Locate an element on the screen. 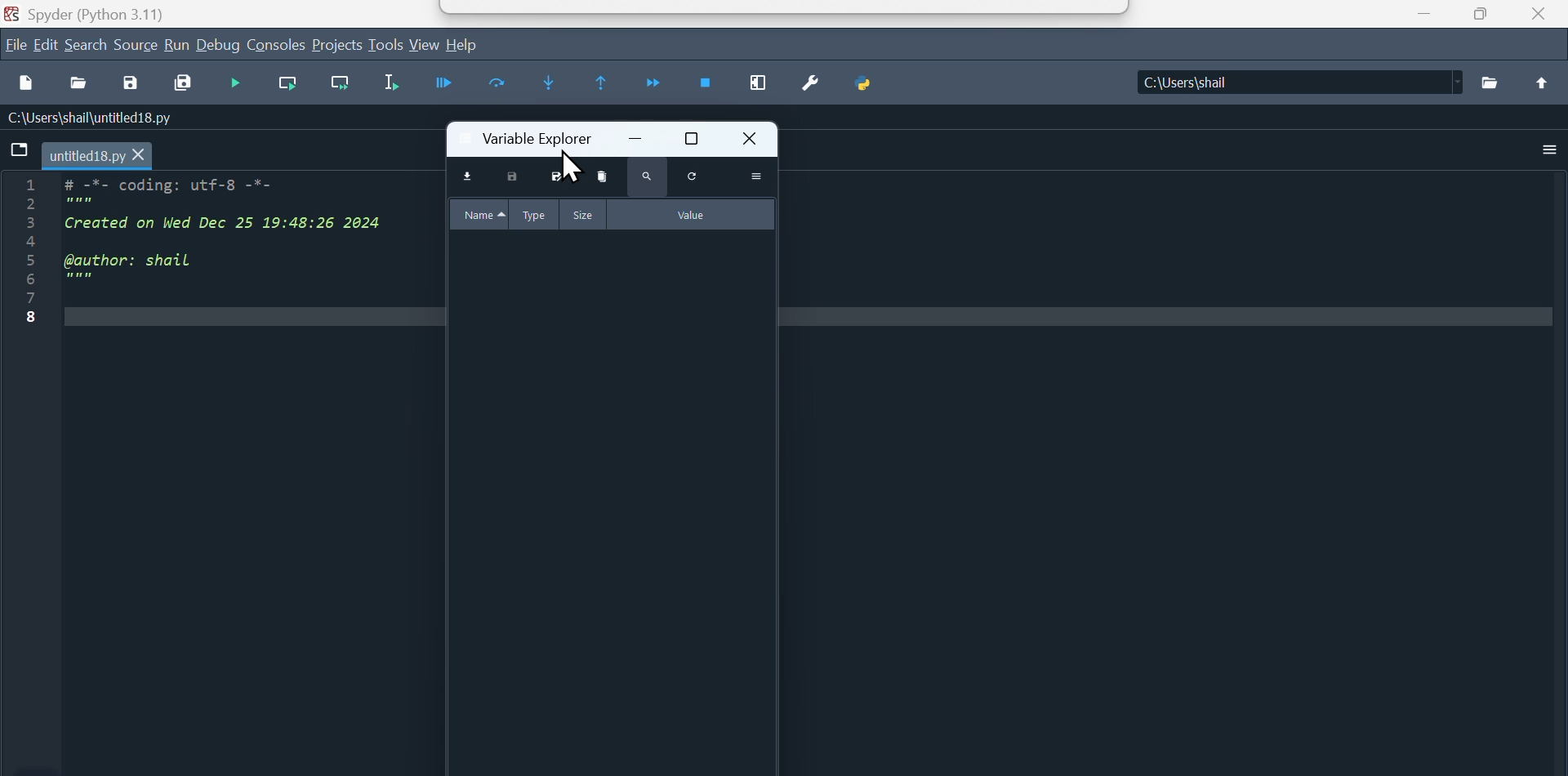 Image resolution: width=1568 pixels, height=776 pixels. File is located at coordinates (15, 47).